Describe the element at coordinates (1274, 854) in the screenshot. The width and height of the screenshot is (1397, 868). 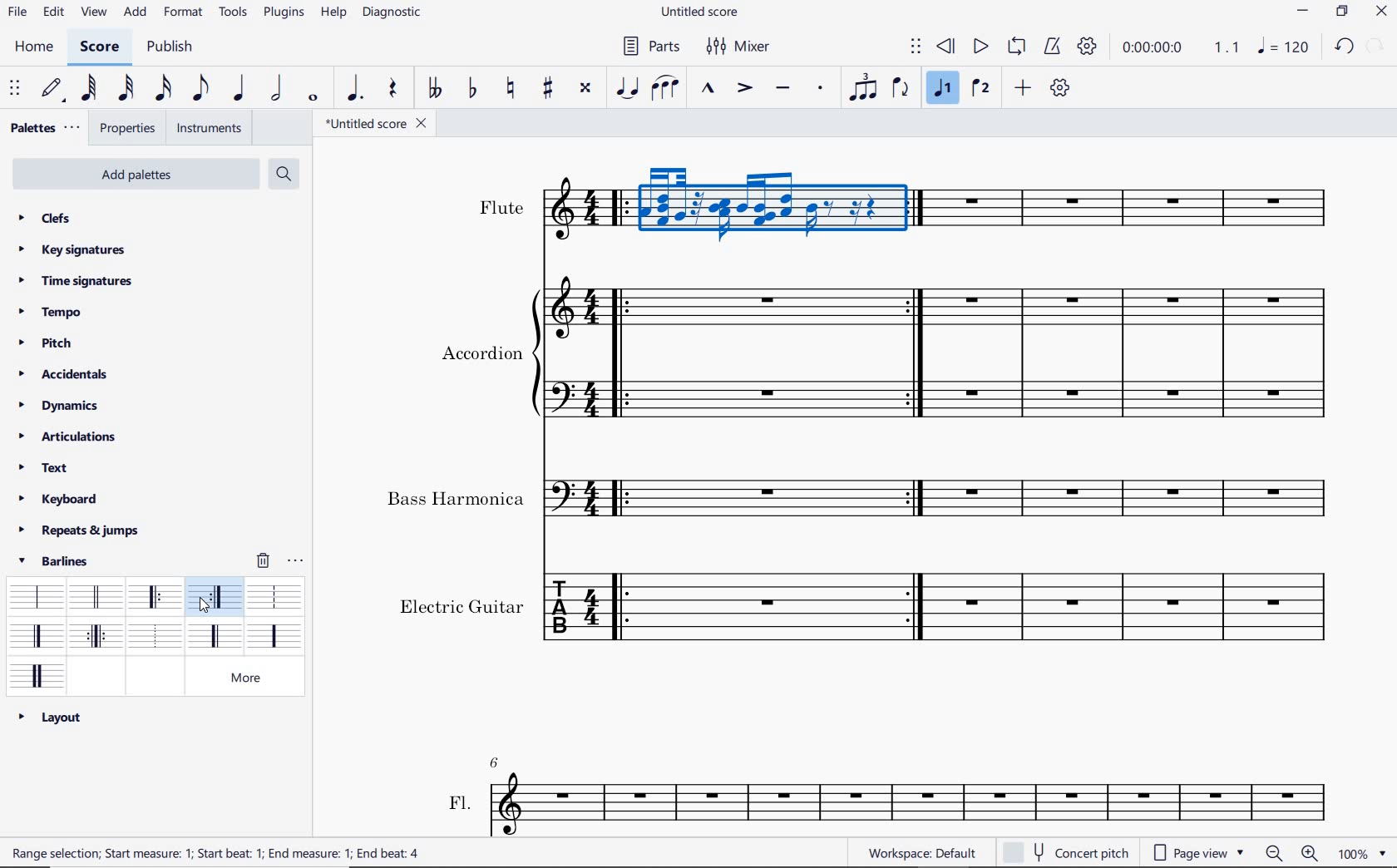
I see `ZOOM OUT` at that location.